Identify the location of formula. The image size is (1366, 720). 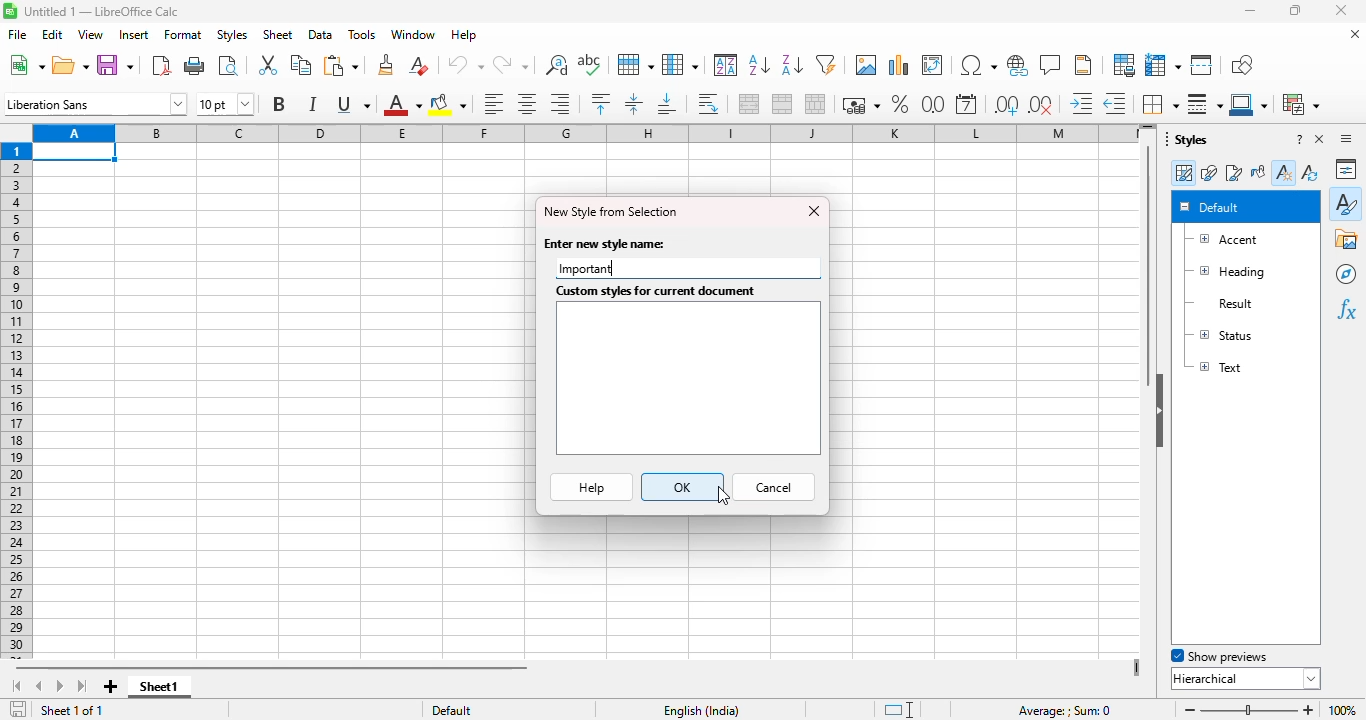
(1065, 711).